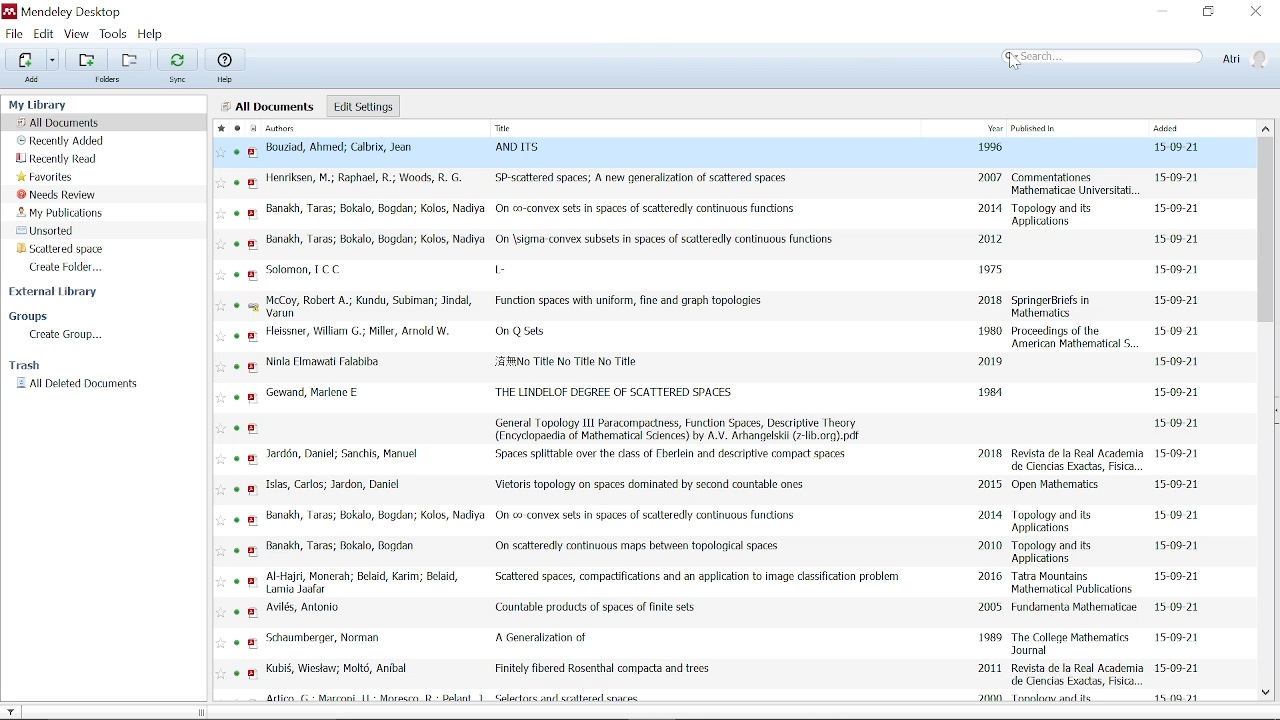 The height and width of the screenshot is (720, 1280). What do you see at coordinates (24, 59) in the screenshot?
I see `Add files` at bounding box center [24, 59].